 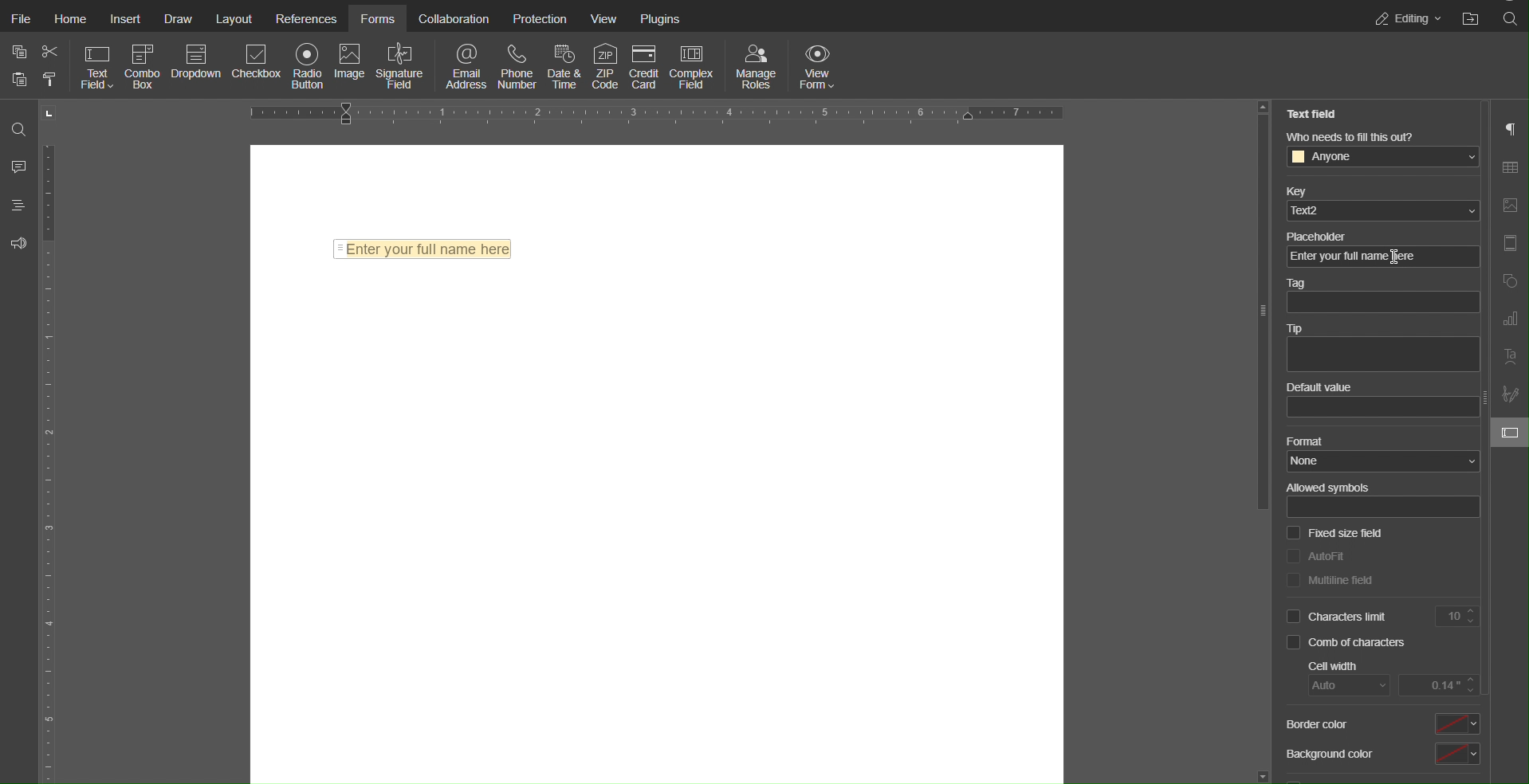 What do you see at coordinates (467, 66) in the screenshot?
I see `Email Address` at bounding box center [467, 66].